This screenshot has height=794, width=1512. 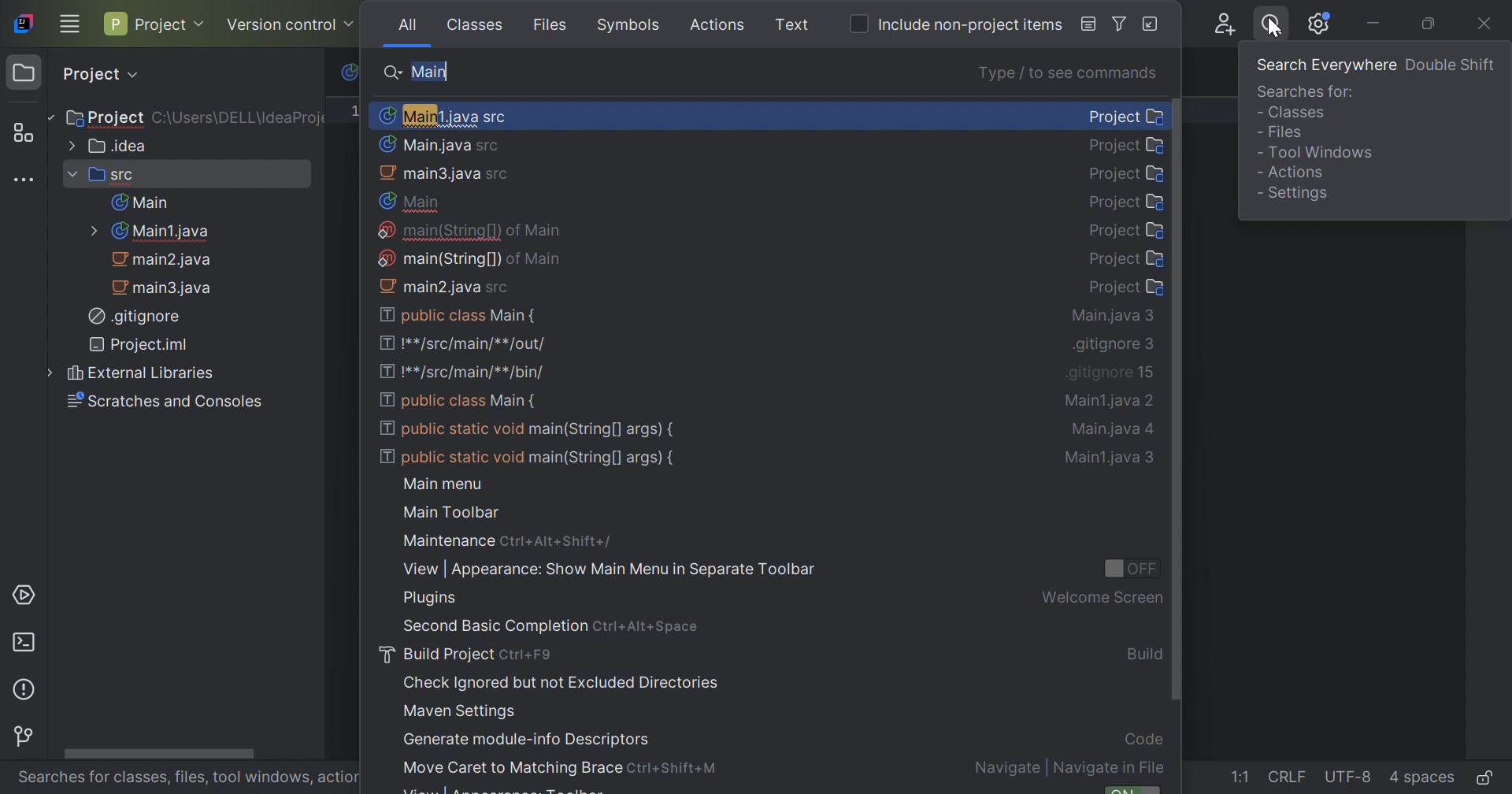 I want to click on Terminal, so click(x=24, y=645).